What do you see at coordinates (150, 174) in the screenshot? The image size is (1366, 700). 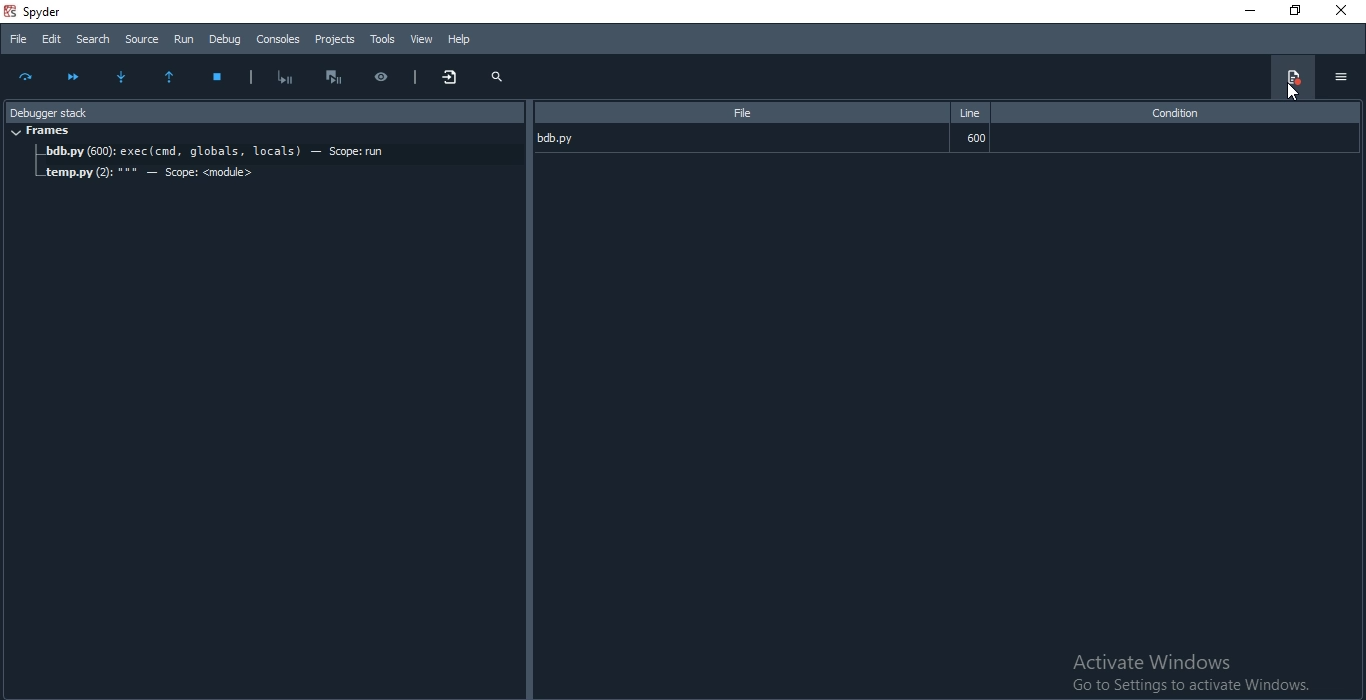 I see `temp.py (2): *"* — Scope: <module>` at bounding box center [150, 174].